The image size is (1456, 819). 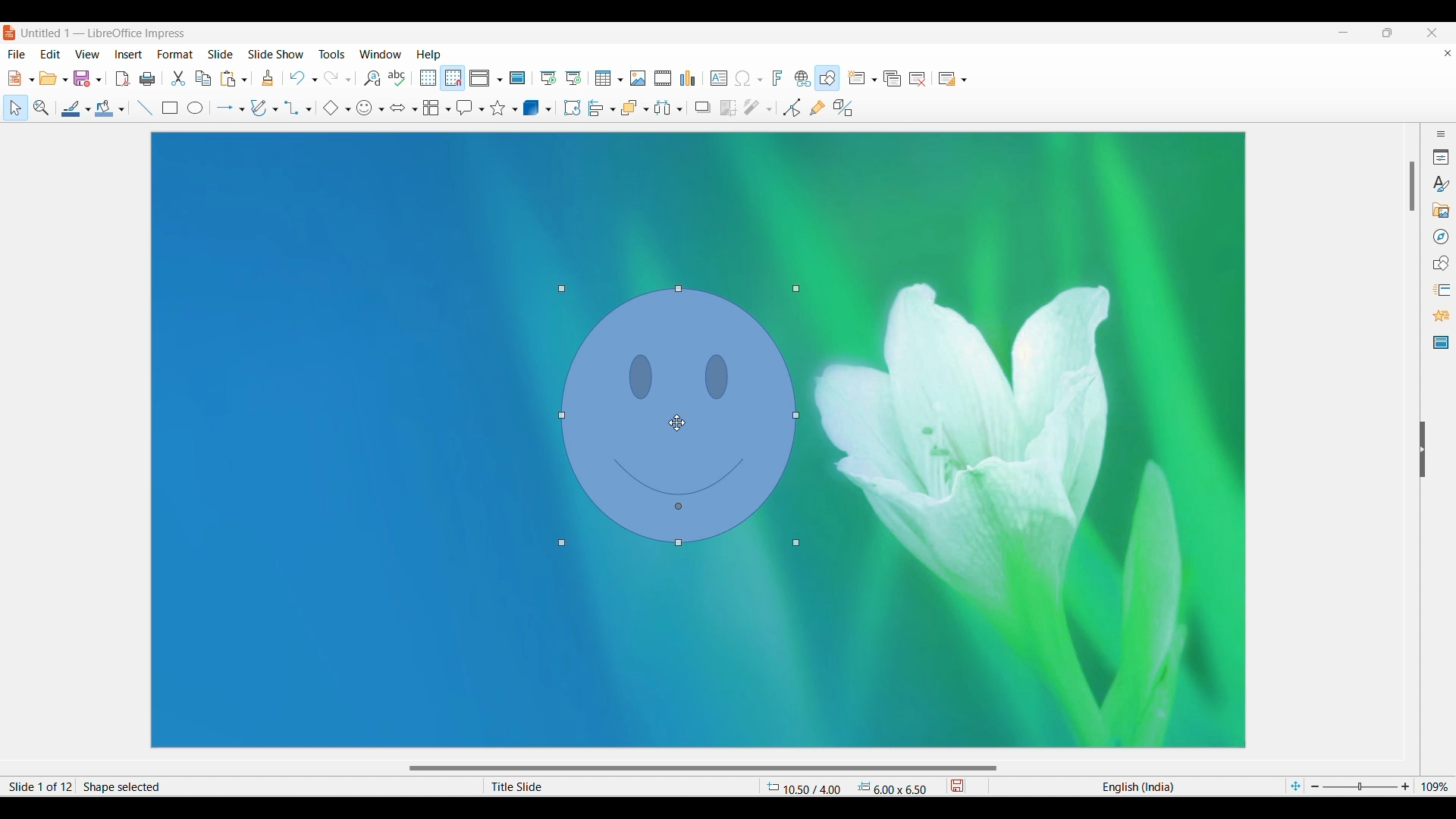 What do you see at coordinates (893, 79) in the screenshot?
I see `Duplicate slide` at bounding box center [893, 79].